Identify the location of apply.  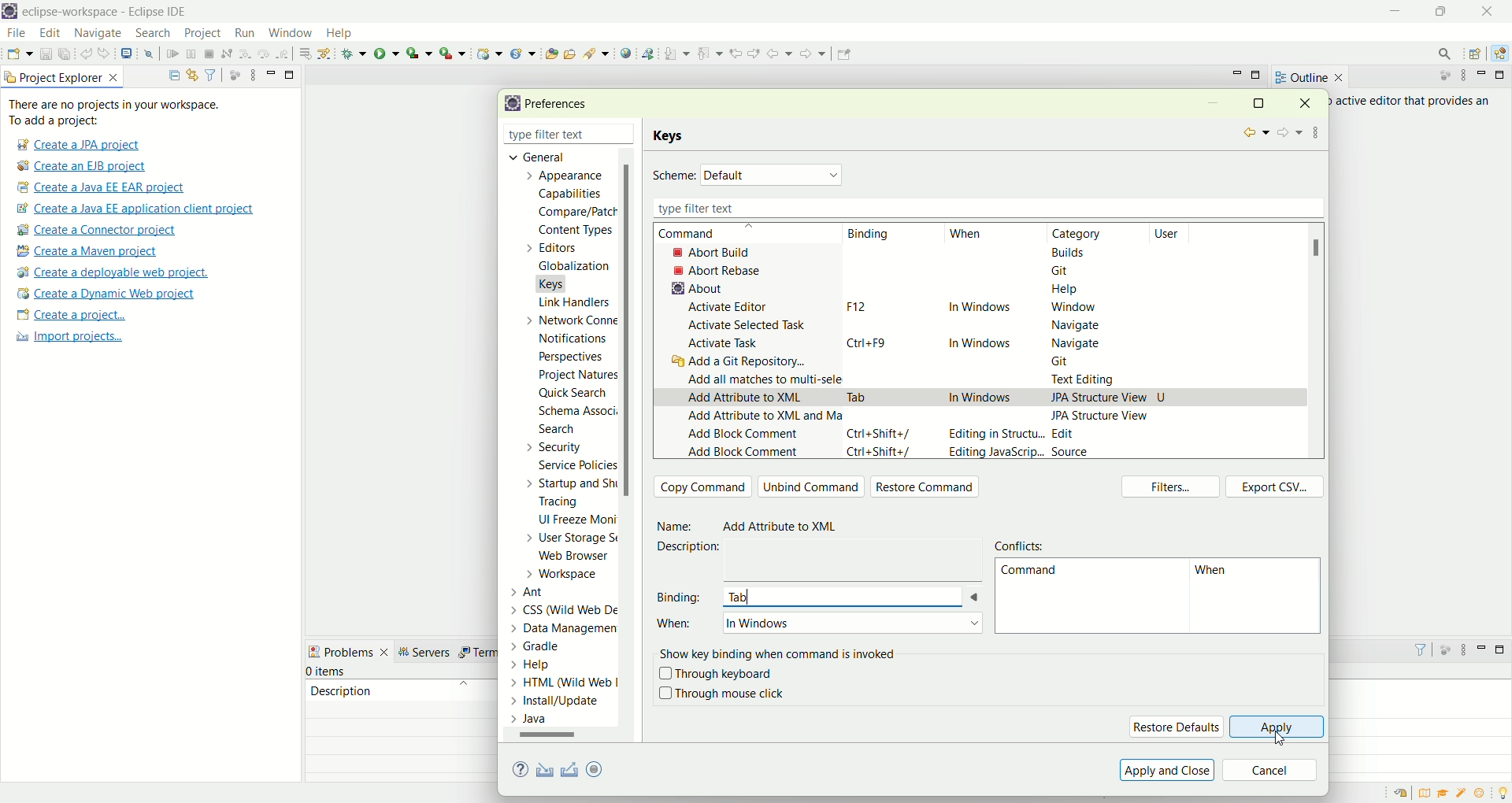
(1278, 728).